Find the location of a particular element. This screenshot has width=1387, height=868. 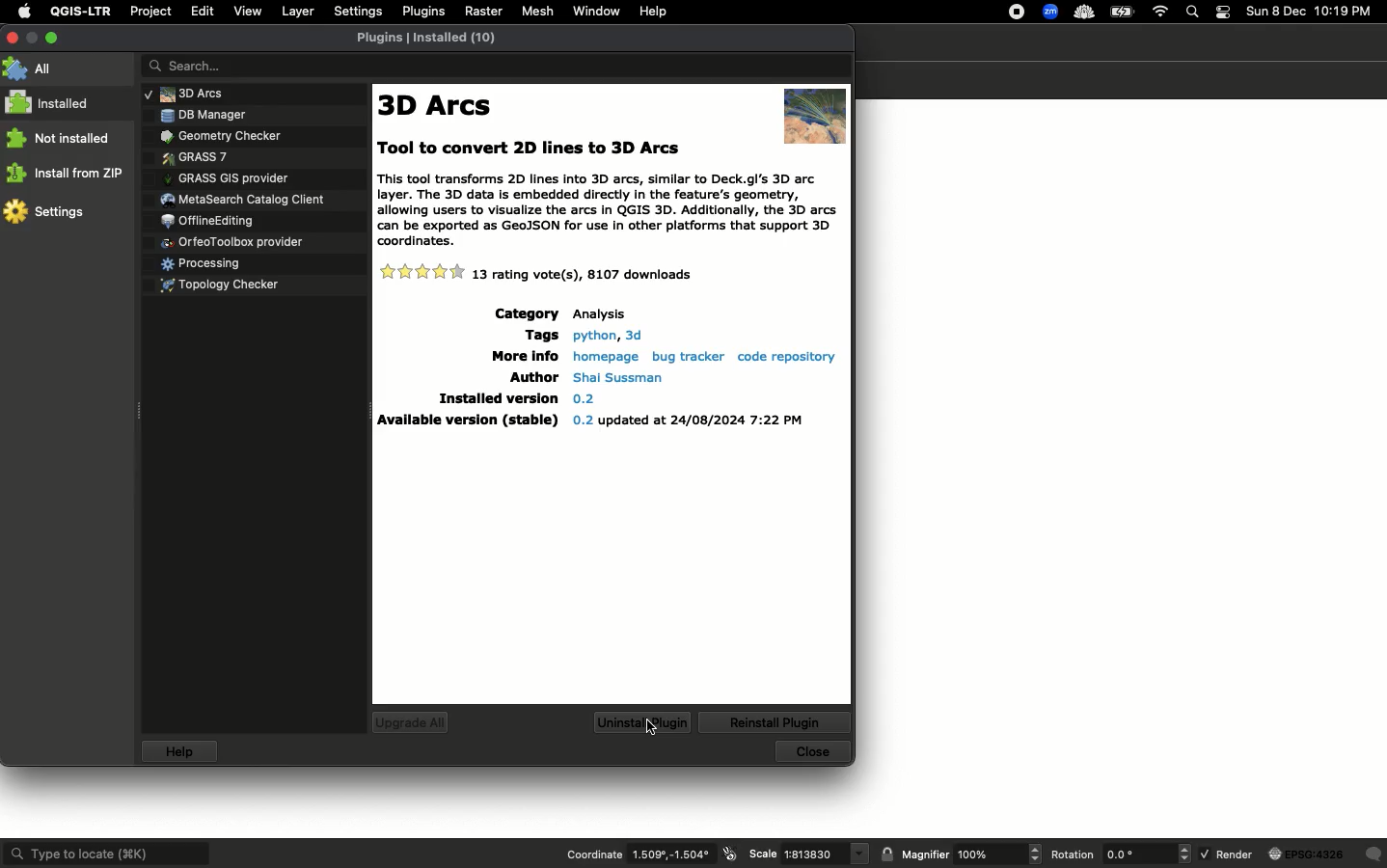

Details is located at coordinates (661, 357).